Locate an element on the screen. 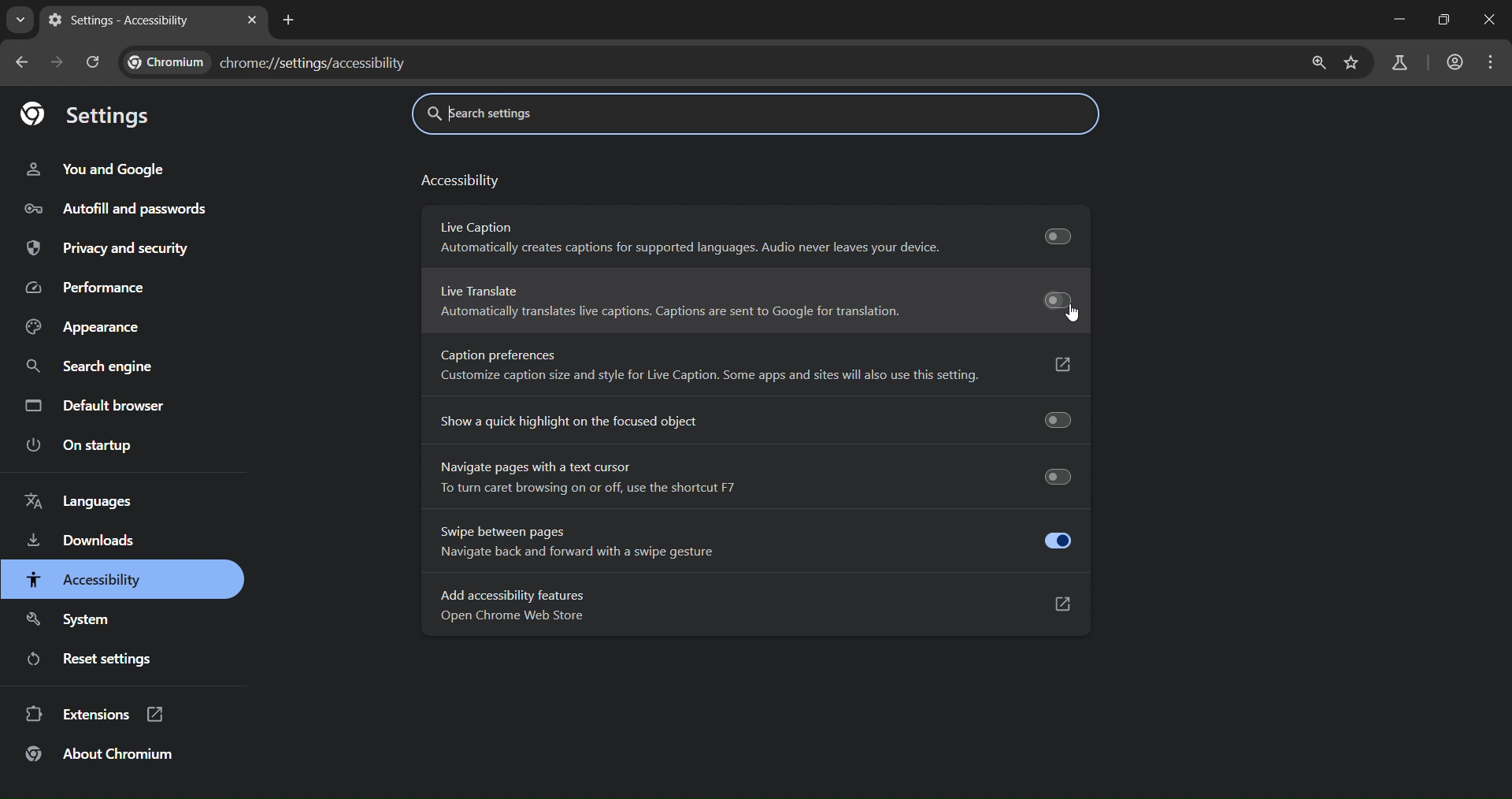 The image size is (1512, 799). appearance is located at coordinates (89, 325).